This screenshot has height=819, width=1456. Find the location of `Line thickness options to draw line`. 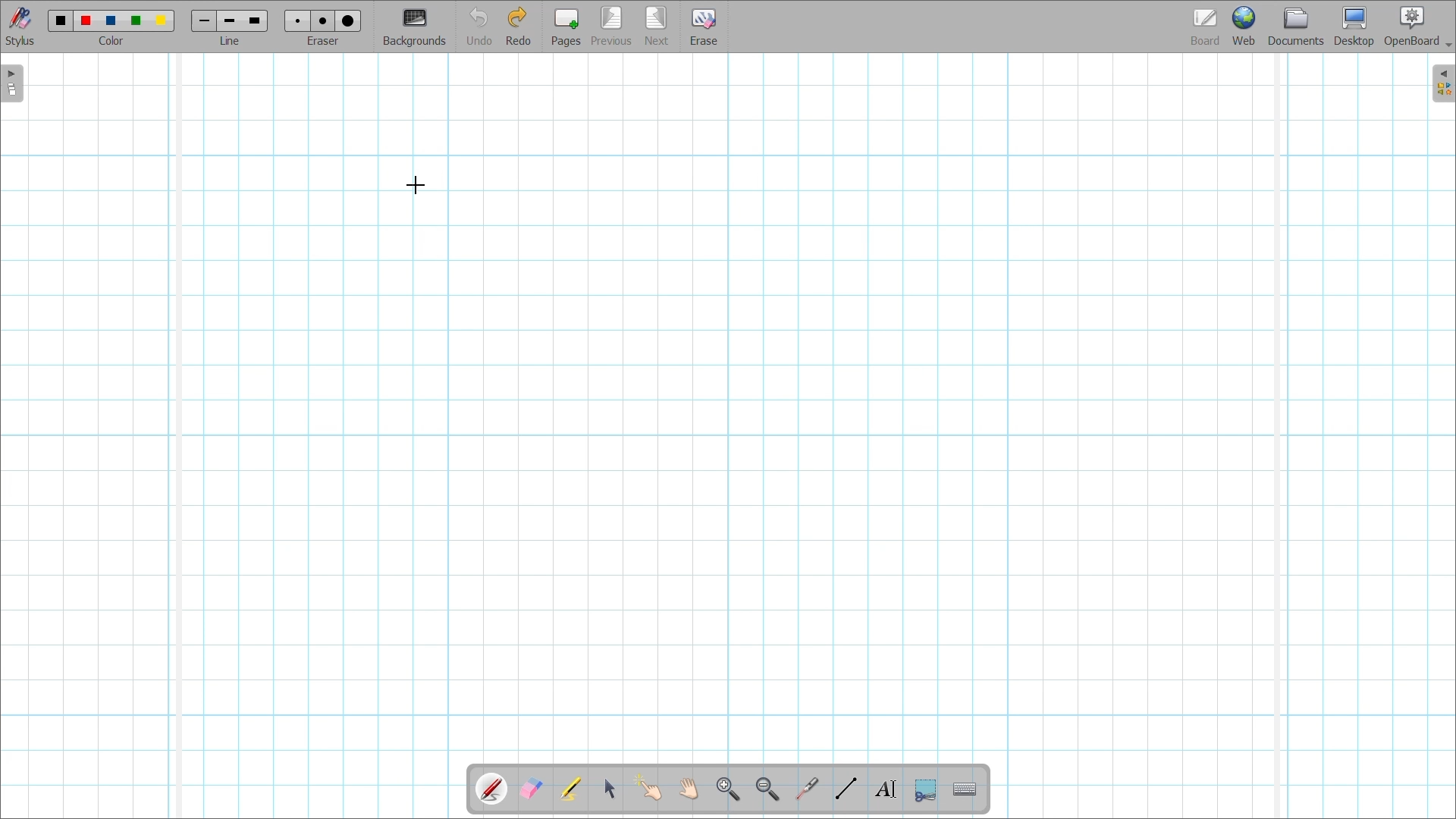

Line thickness options to draw line is located at coordinates (230, 22).